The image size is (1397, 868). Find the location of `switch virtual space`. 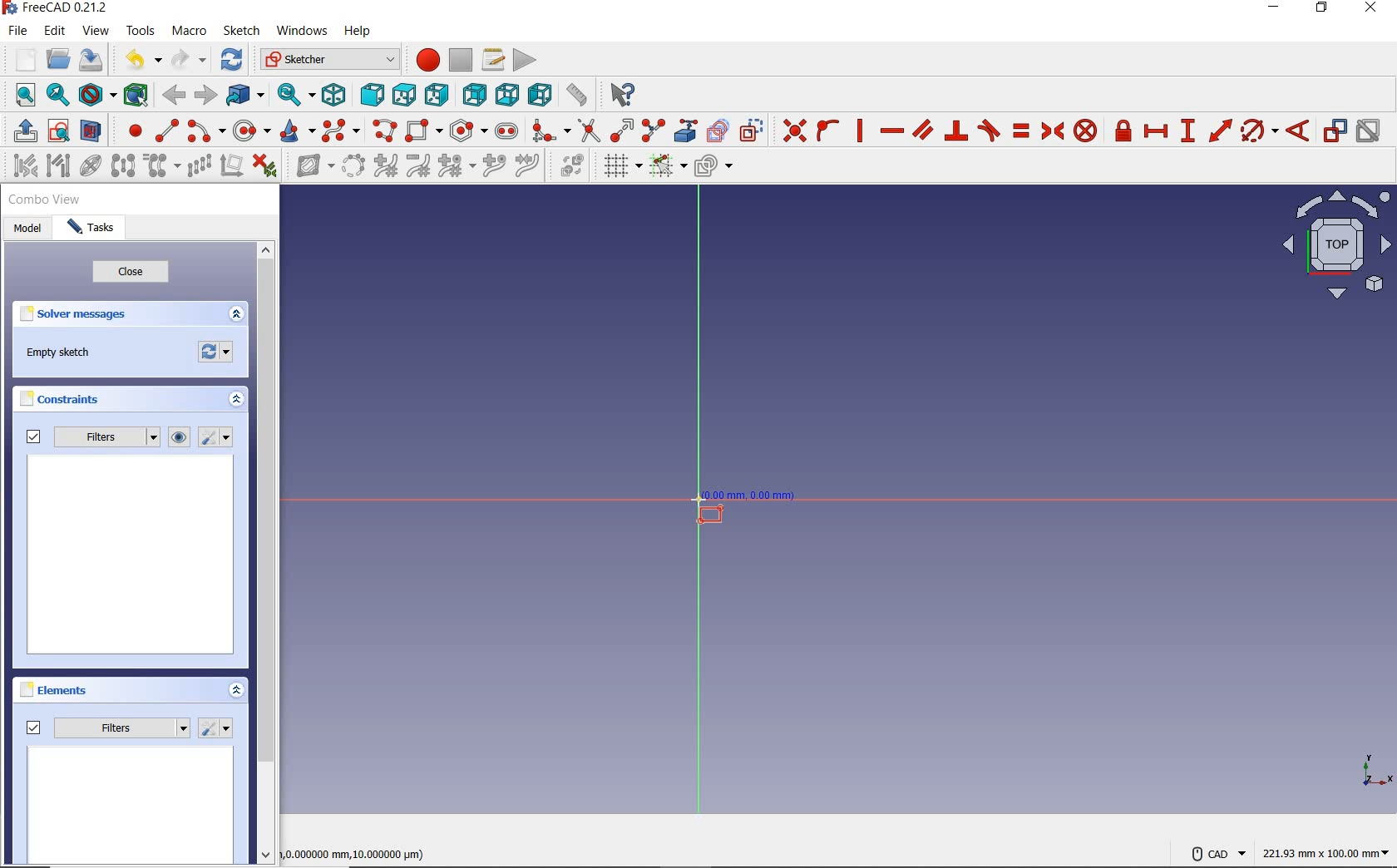

switch virtual space is located at coordinates (569, 169).